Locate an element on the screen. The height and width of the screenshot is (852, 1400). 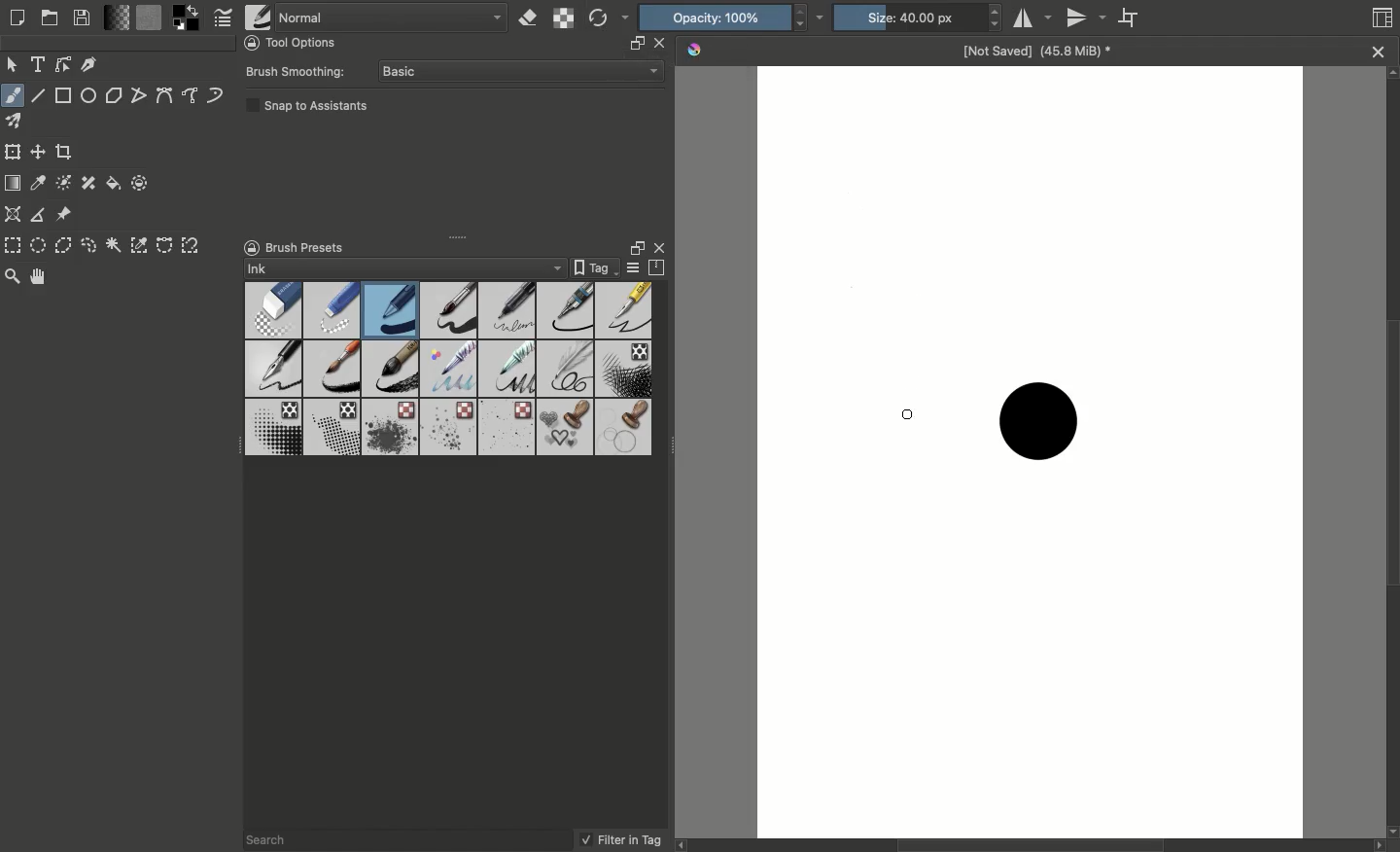
Vertical mirror is located at coordinates (1089, 20).